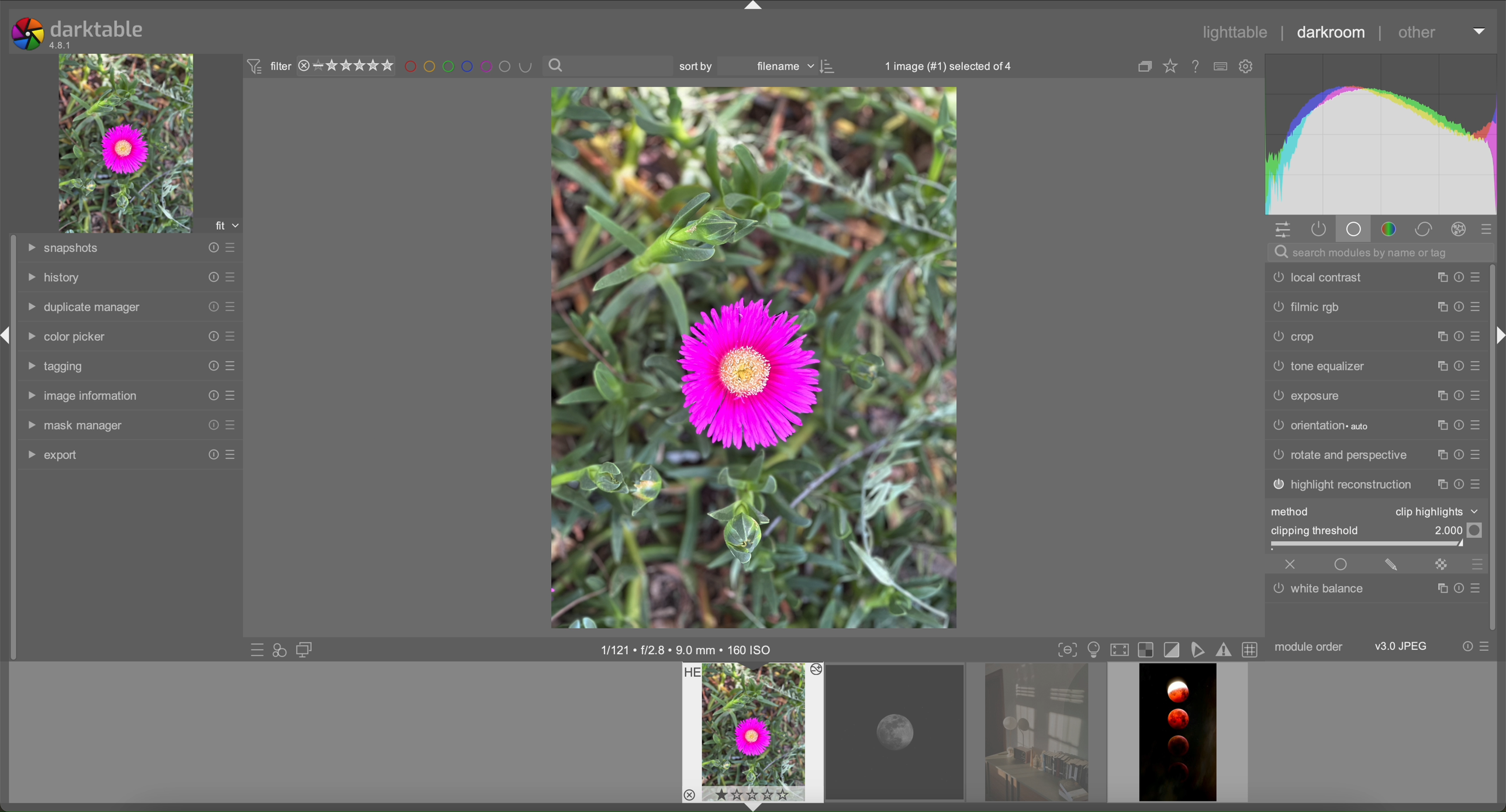  I want to click on filter, so click(266, 67).